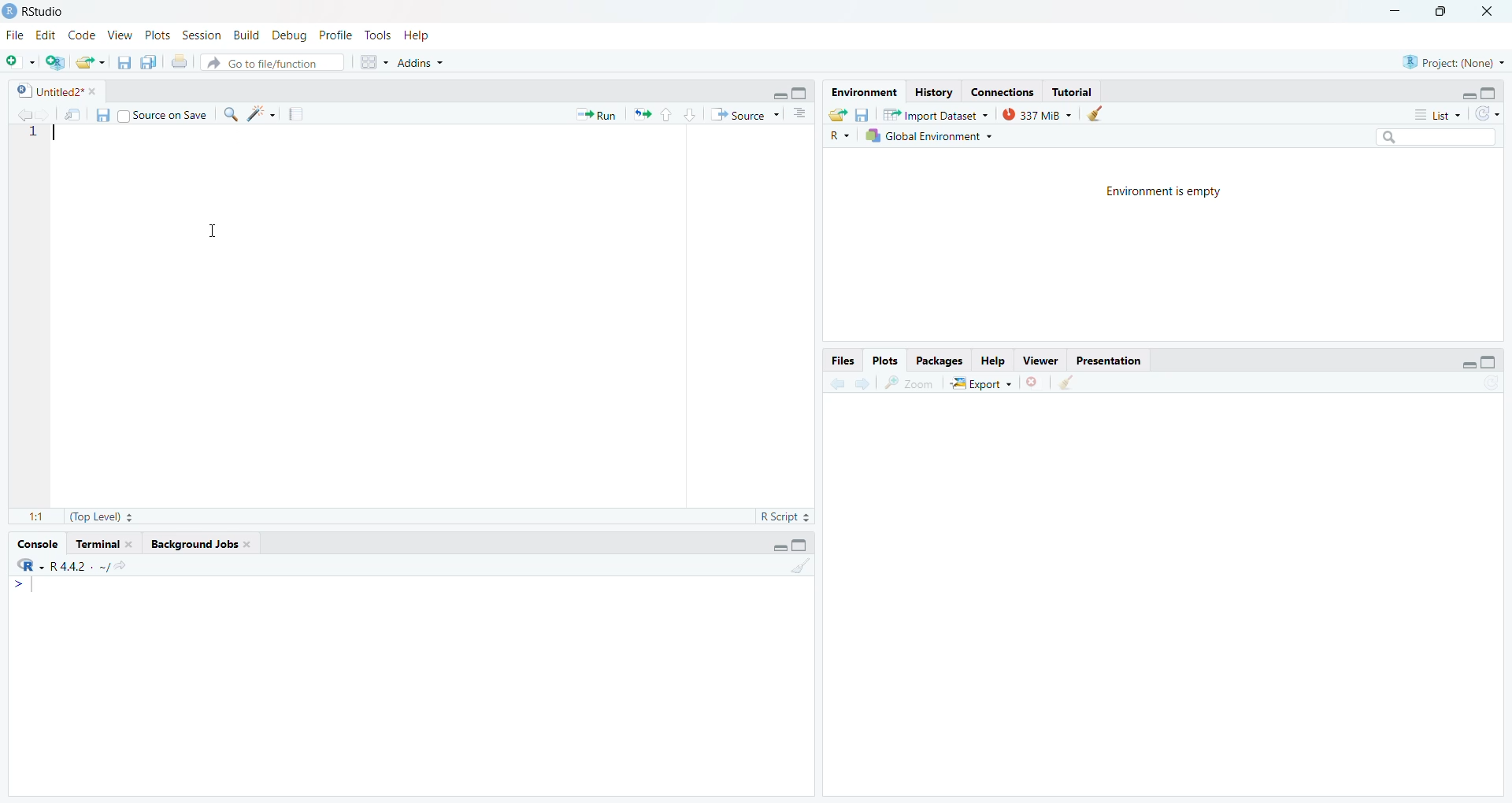 This screenshot has width=1512, height=803. Describe the element at coordinates (1390, 12) in the screenshot. I see `minimize` at that location.